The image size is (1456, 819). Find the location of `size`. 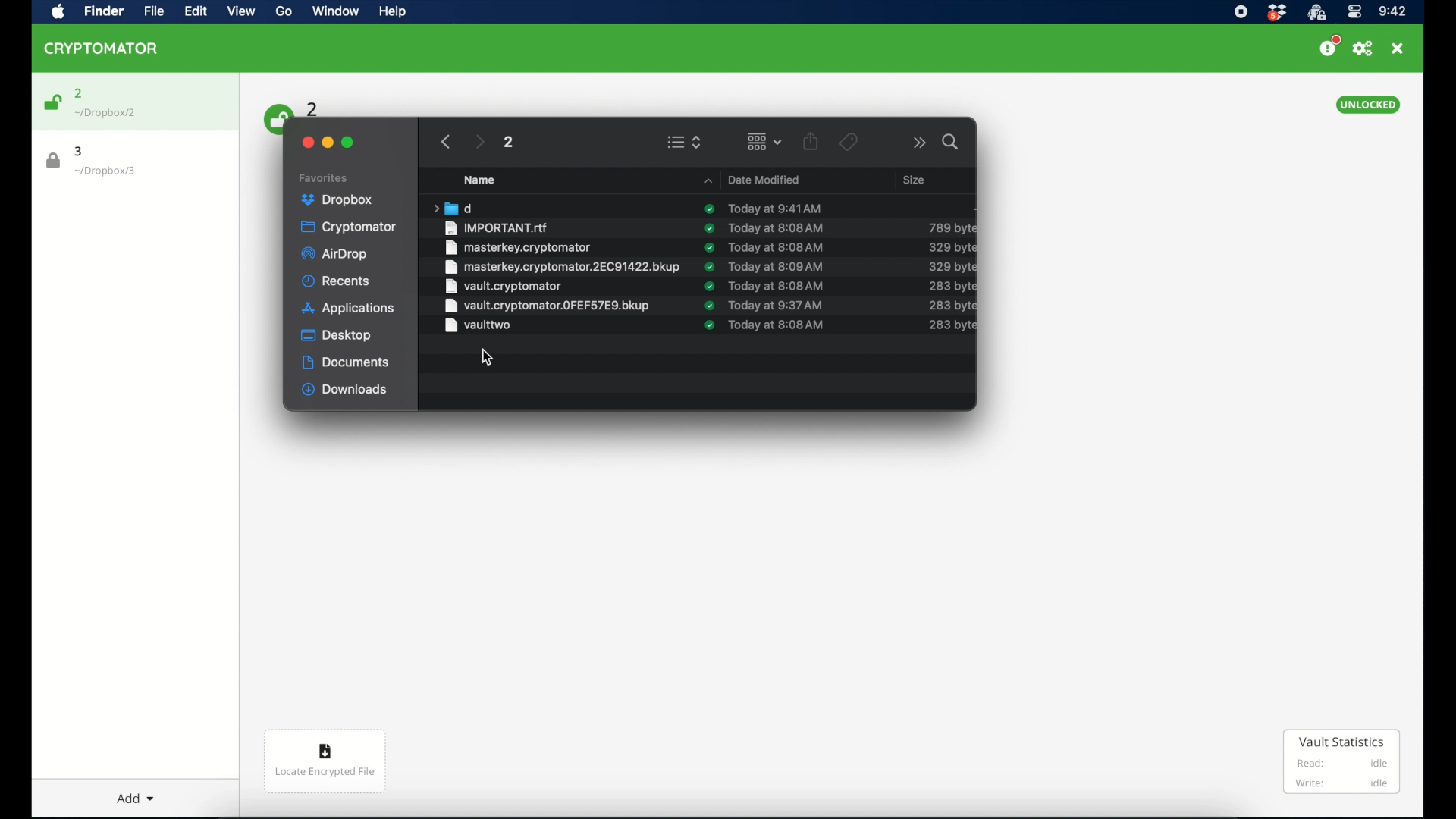

size is located at coordinates (916, 179).